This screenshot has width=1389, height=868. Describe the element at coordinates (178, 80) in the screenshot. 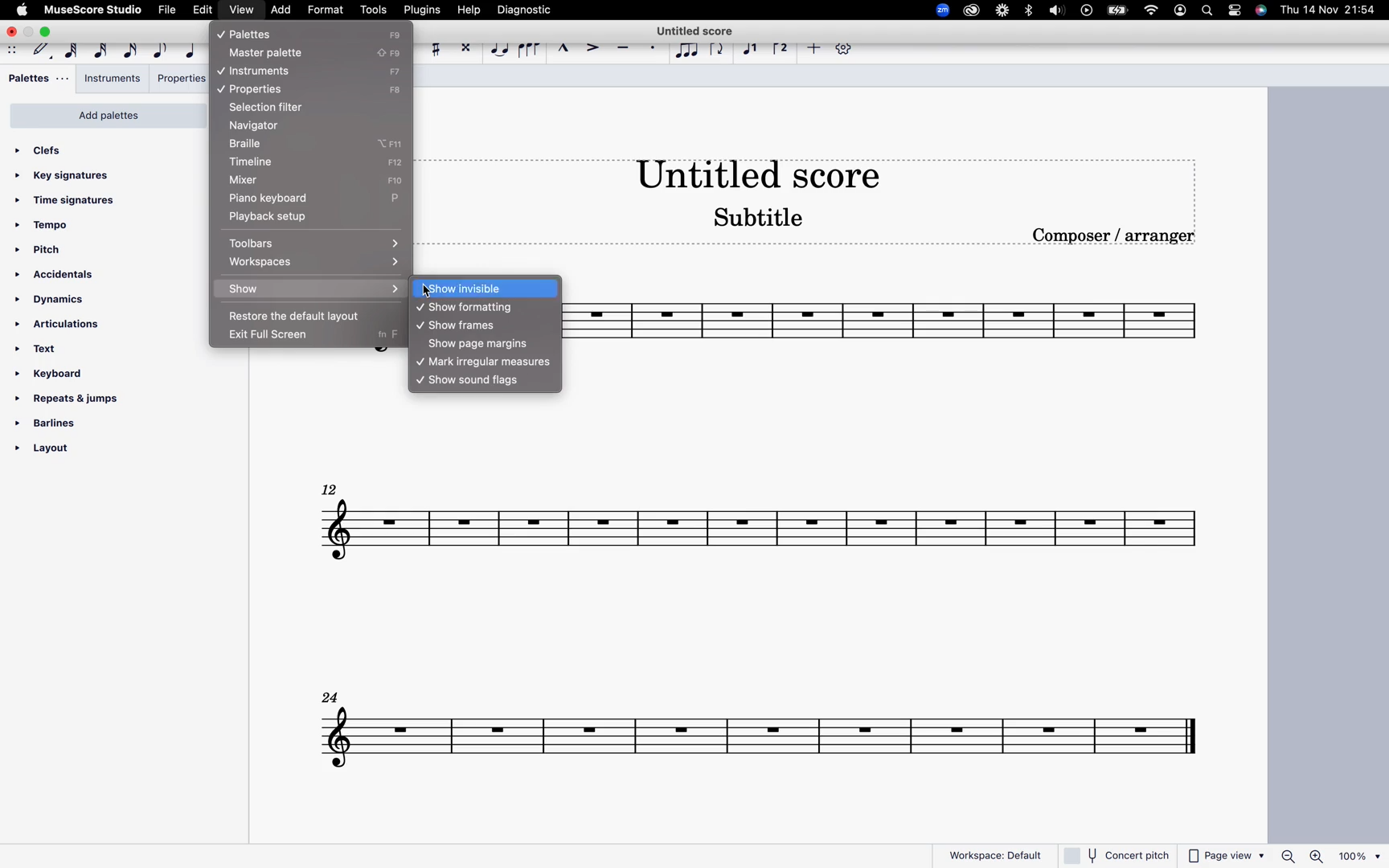

I see `properties` at that location.